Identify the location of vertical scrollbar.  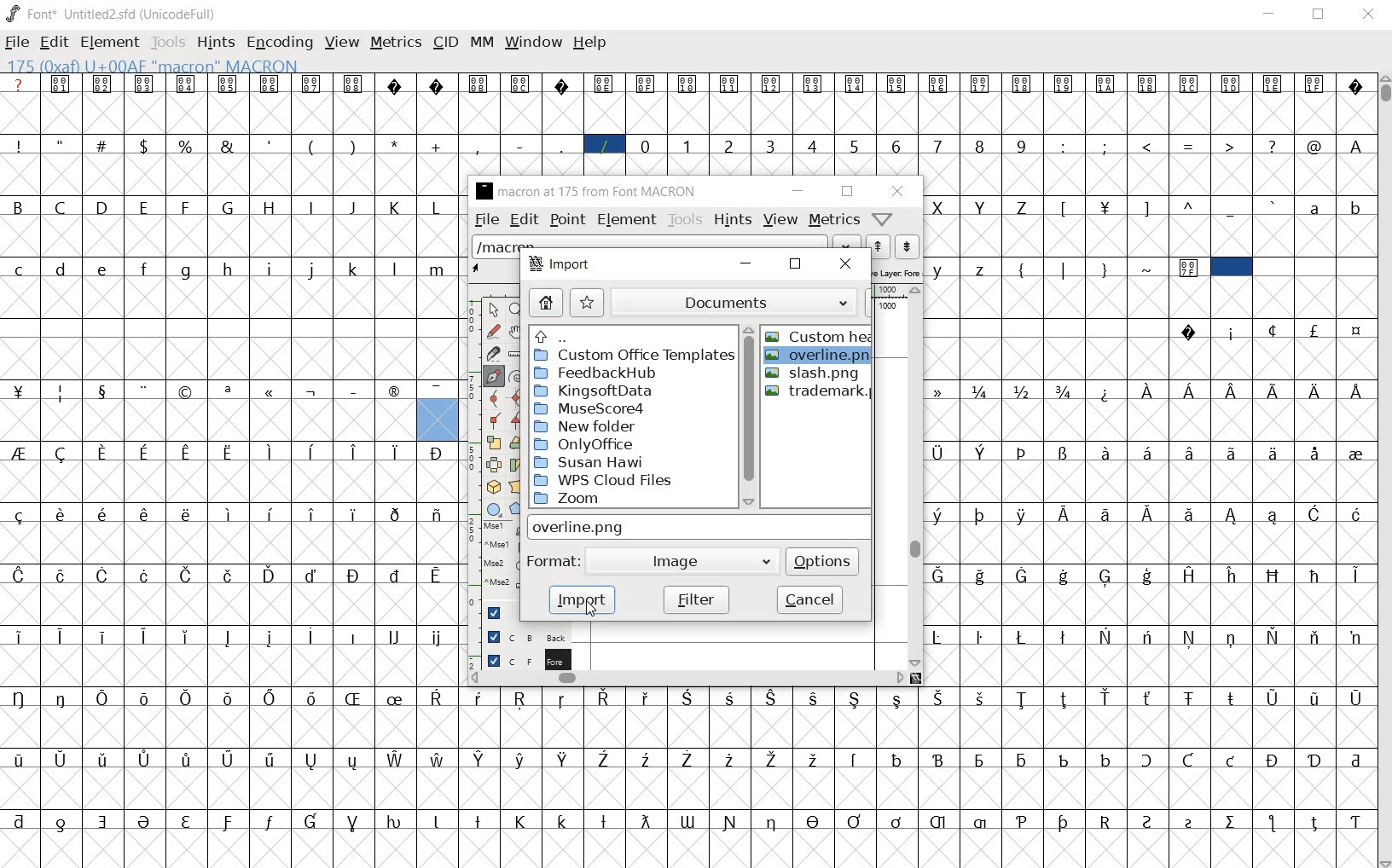
(910, 476).